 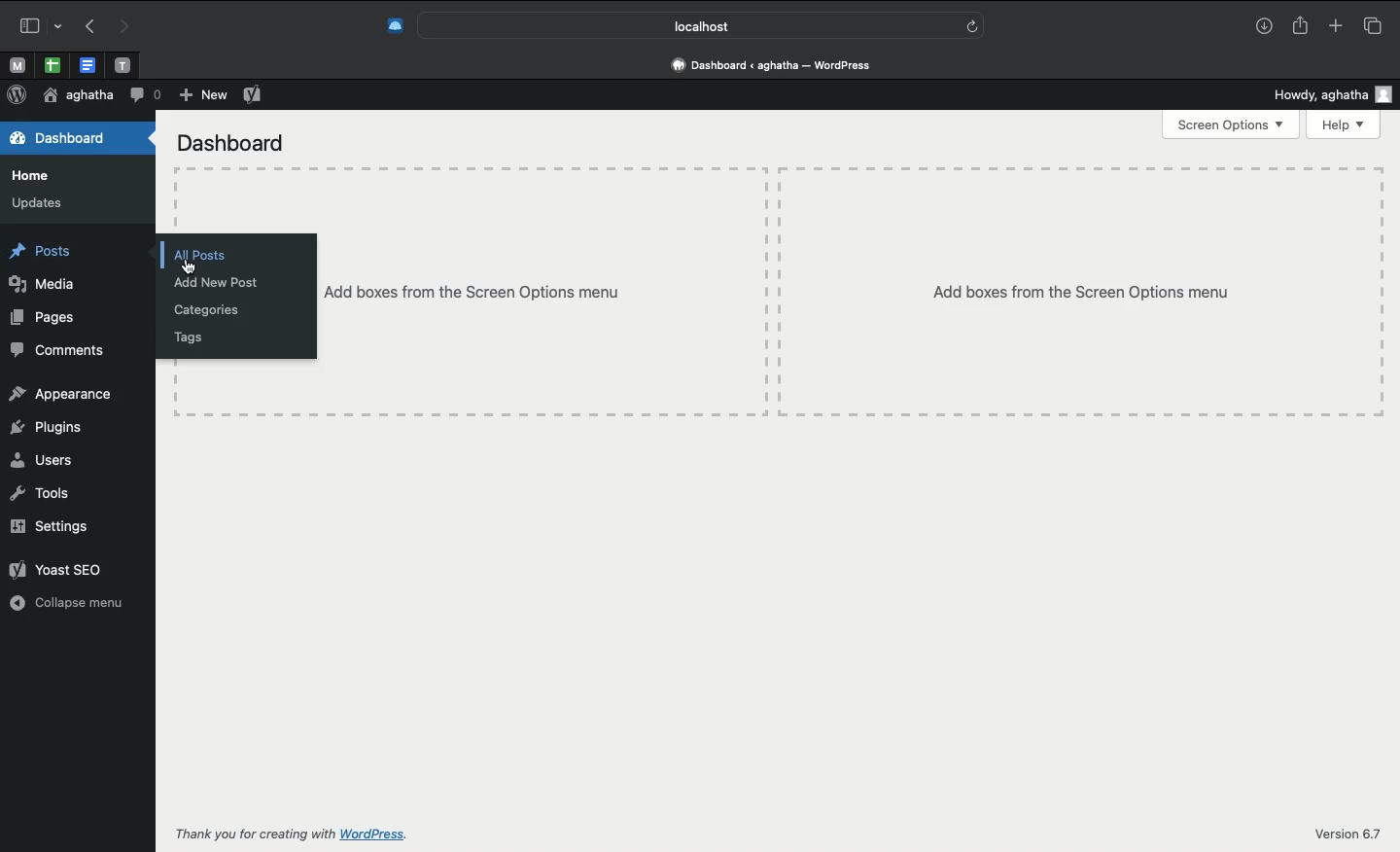 What do you see at coordinates (191, 267) in the screenshot?
I see `cursor` at bounding box center [191, 267].